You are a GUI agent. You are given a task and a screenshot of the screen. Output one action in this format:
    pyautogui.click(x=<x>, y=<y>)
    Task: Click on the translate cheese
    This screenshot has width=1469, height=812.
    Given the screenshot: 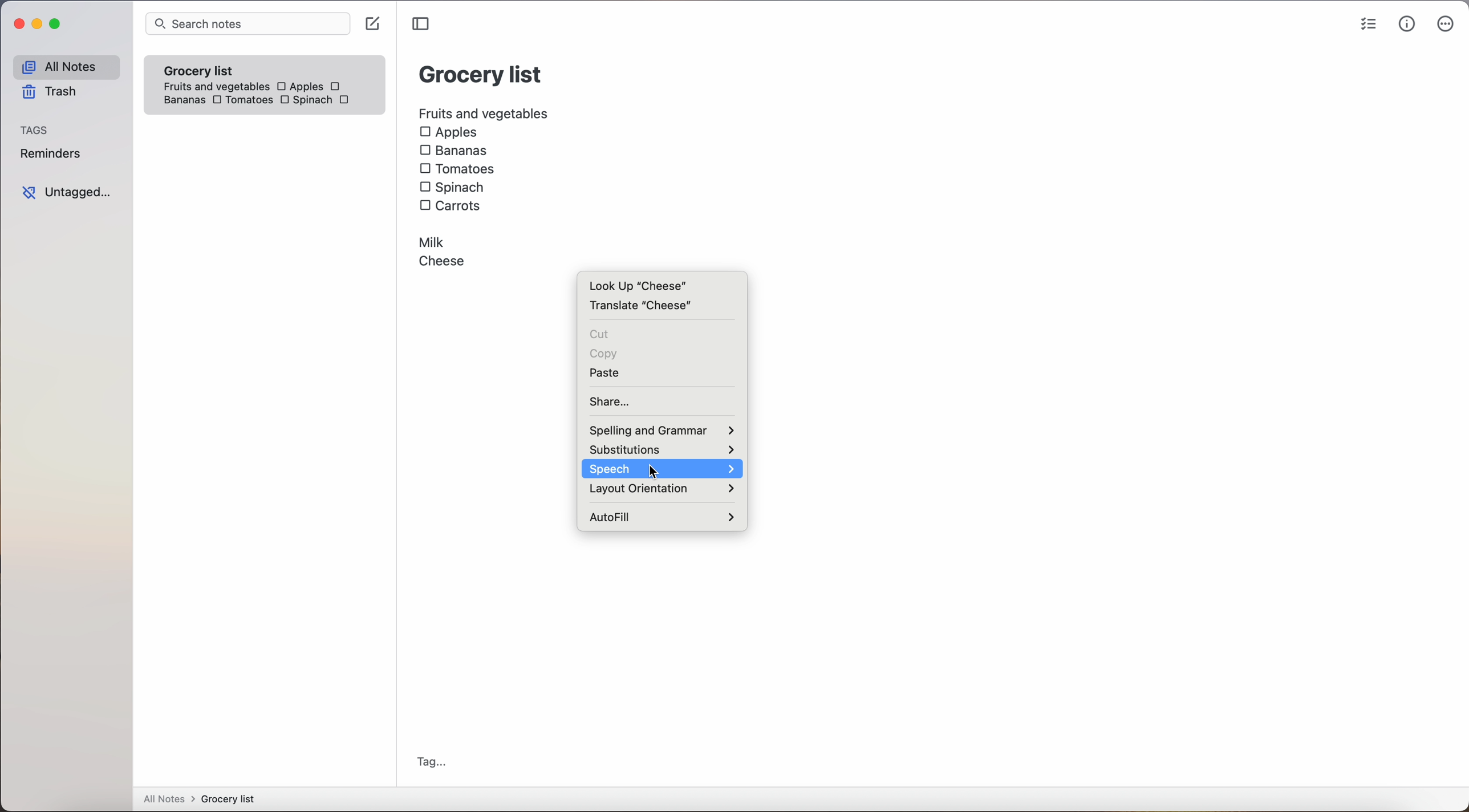 What is the action you would take?
    pyautogui.click(x=643, y=308)
    